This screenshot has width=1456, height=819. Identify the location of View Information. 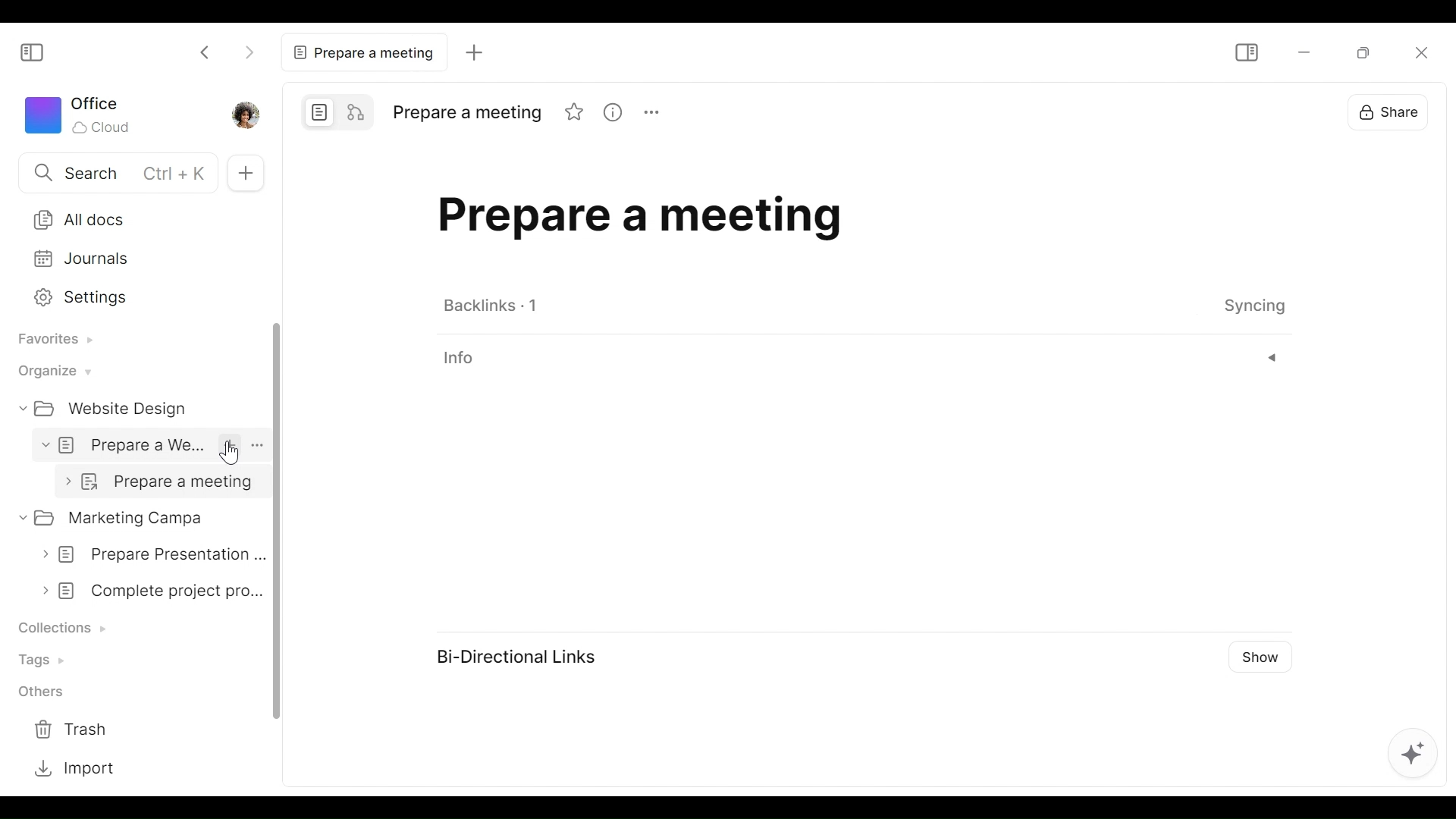
(616, 111).